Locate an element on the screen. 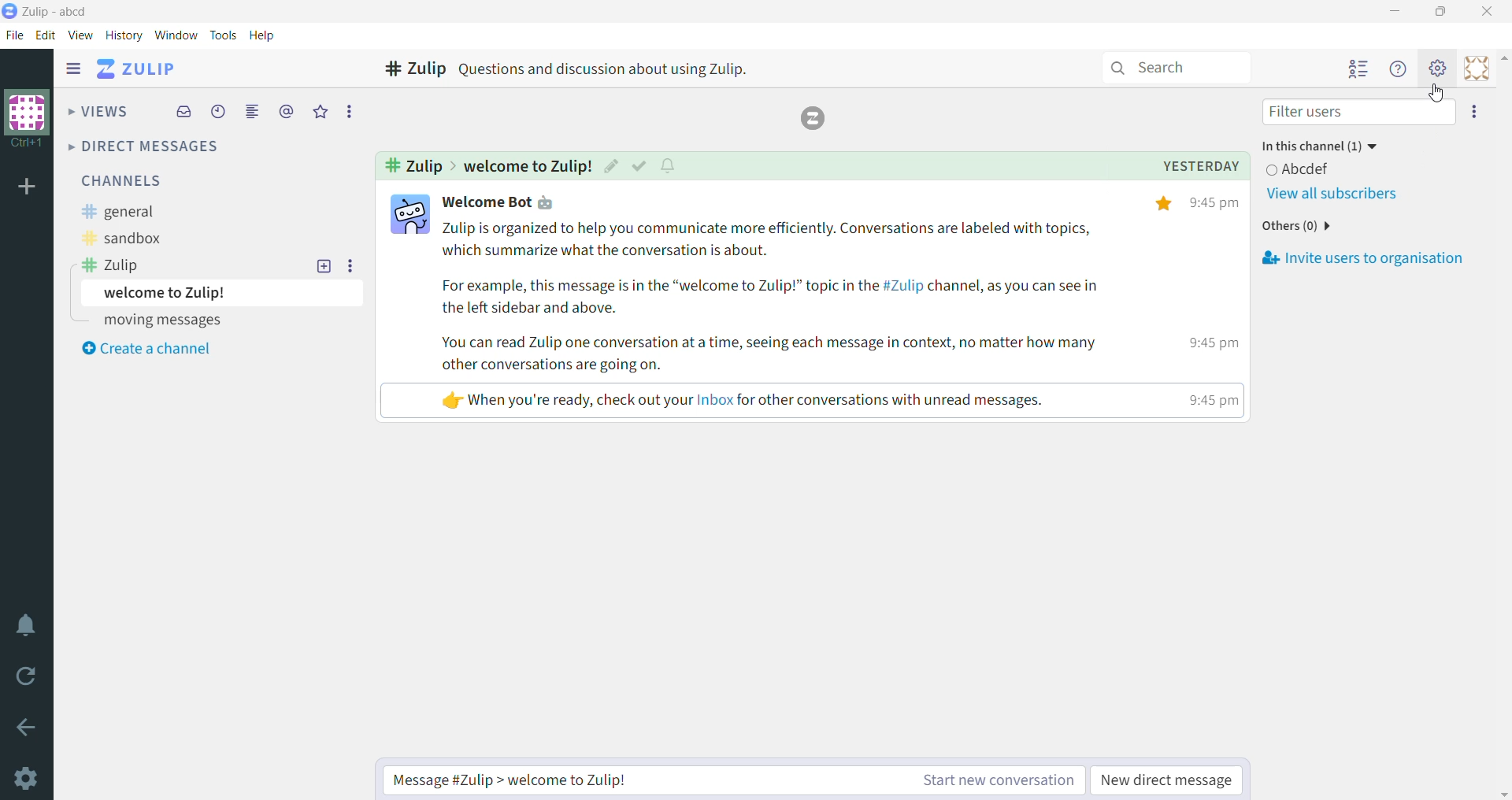  Settings is located at coordinates (24, 778).